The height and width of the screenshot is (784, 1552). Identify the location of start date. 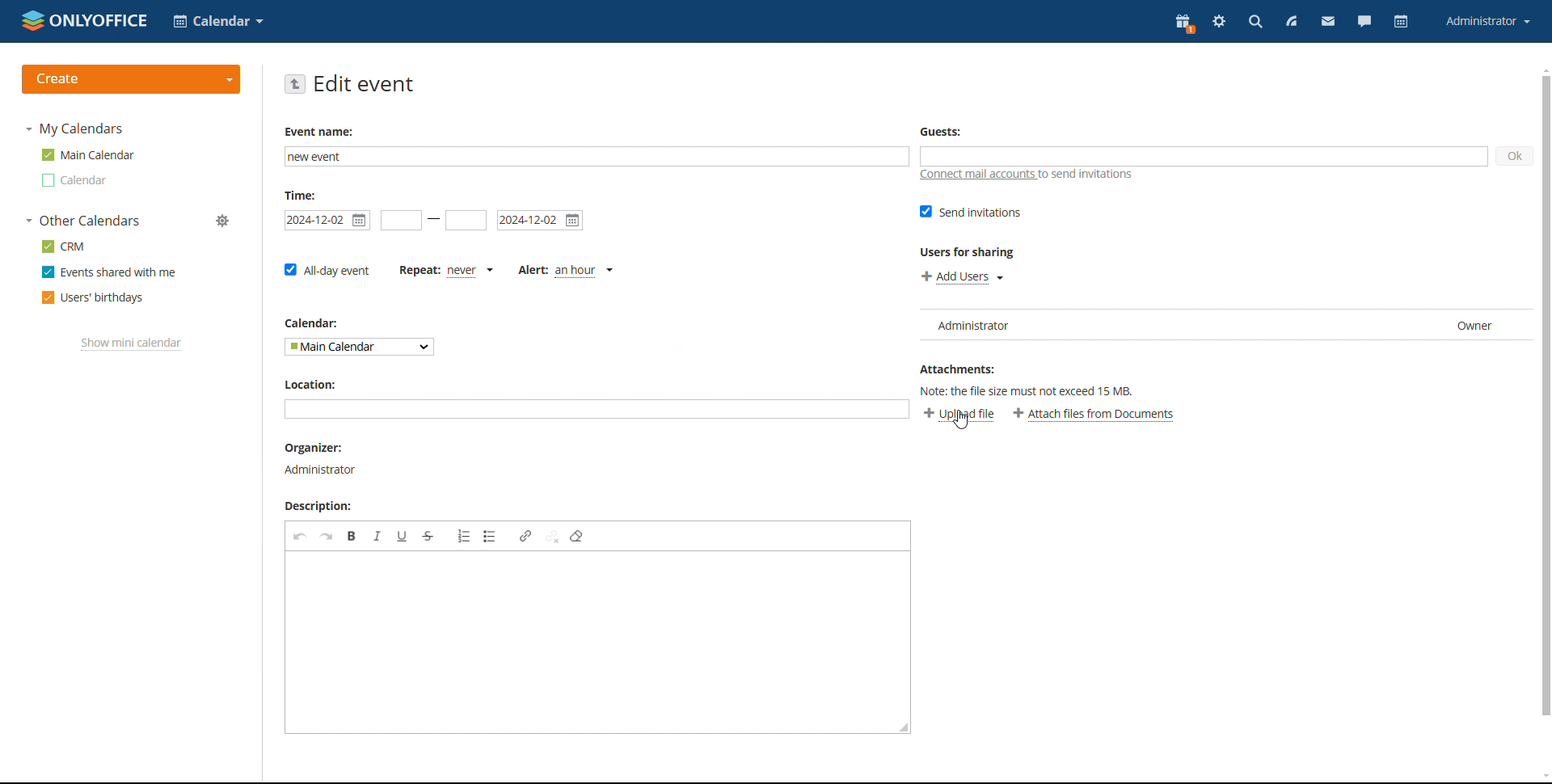
(327, 221).